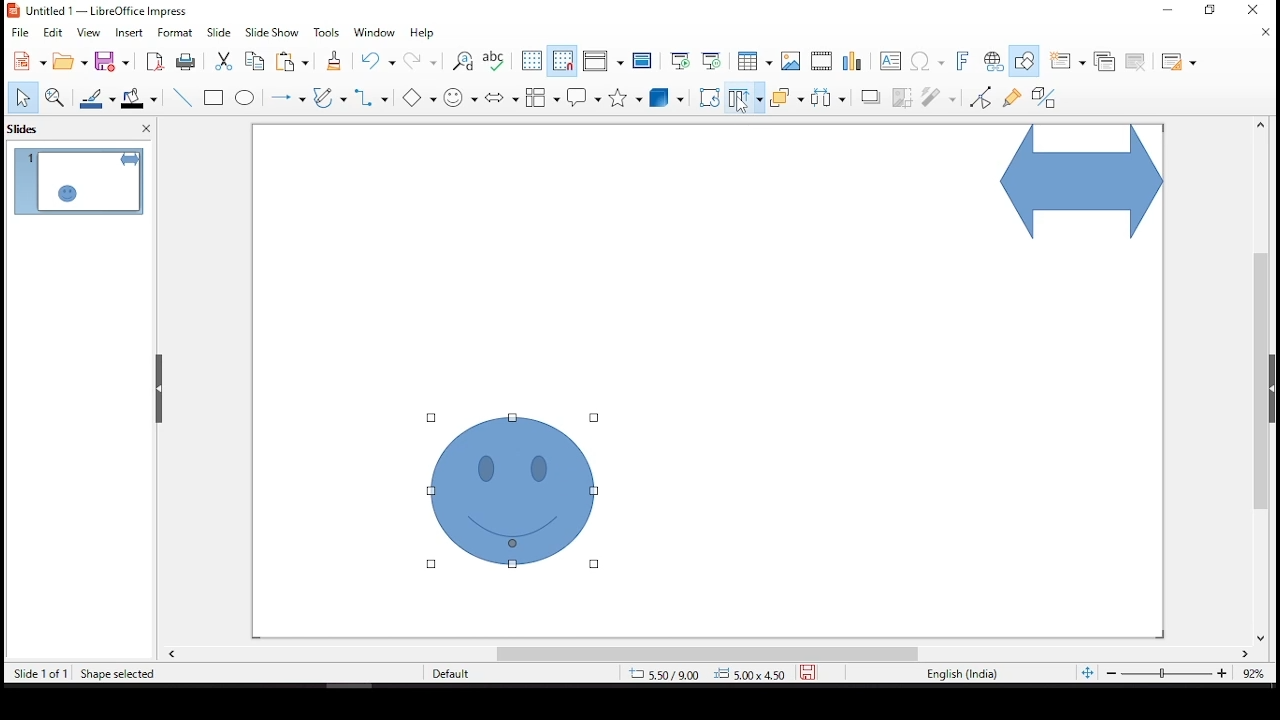 Image resolution: width=1280 pixels, height=720 pixels. Describe the element at coordinates (90, 33) in the screenshot. I see `view` at that location.